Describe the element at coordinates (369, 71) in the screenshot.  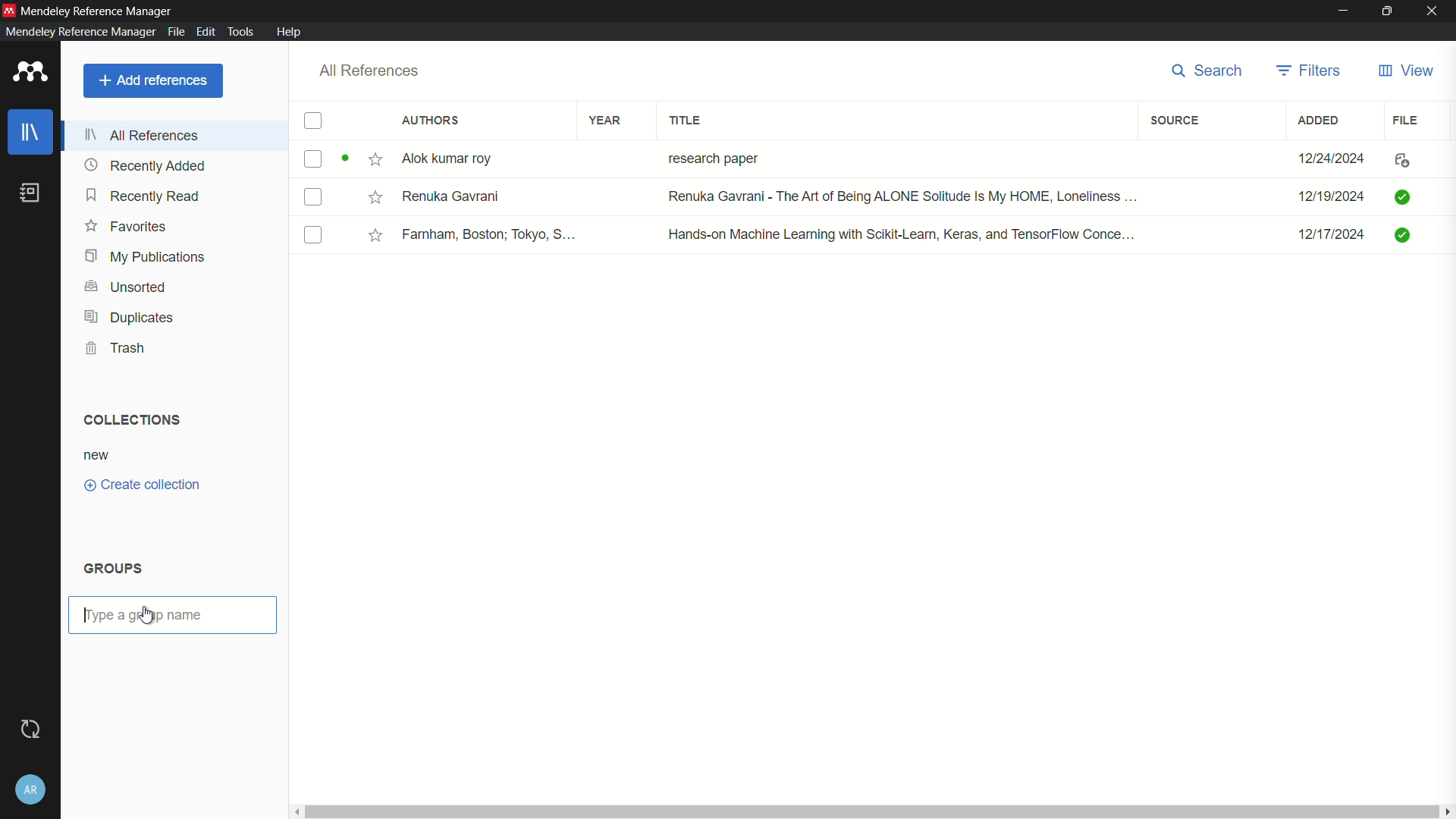
I see `all references` at that location.